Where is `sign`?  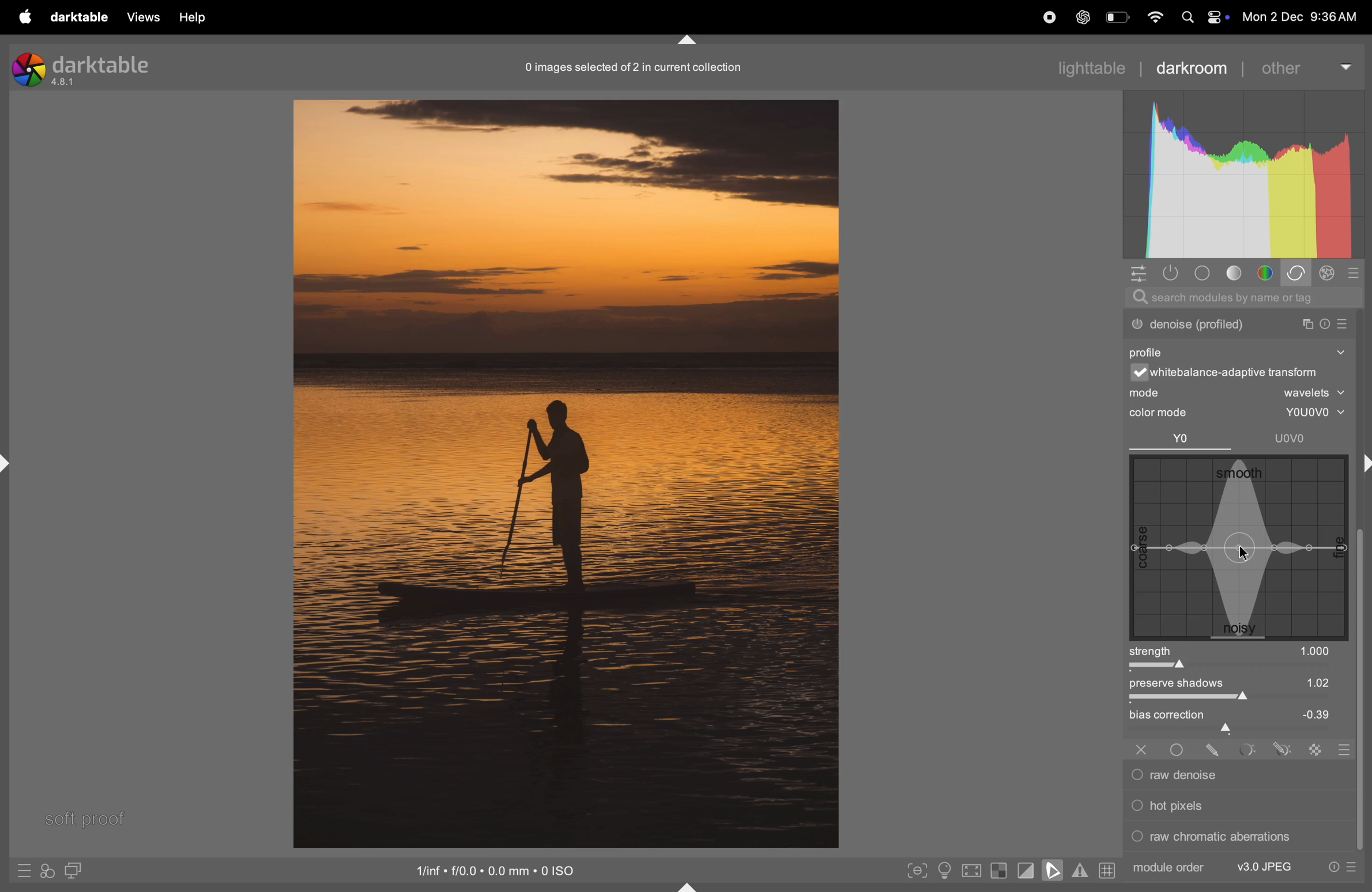
sign is located at coordinates (1355, 275).